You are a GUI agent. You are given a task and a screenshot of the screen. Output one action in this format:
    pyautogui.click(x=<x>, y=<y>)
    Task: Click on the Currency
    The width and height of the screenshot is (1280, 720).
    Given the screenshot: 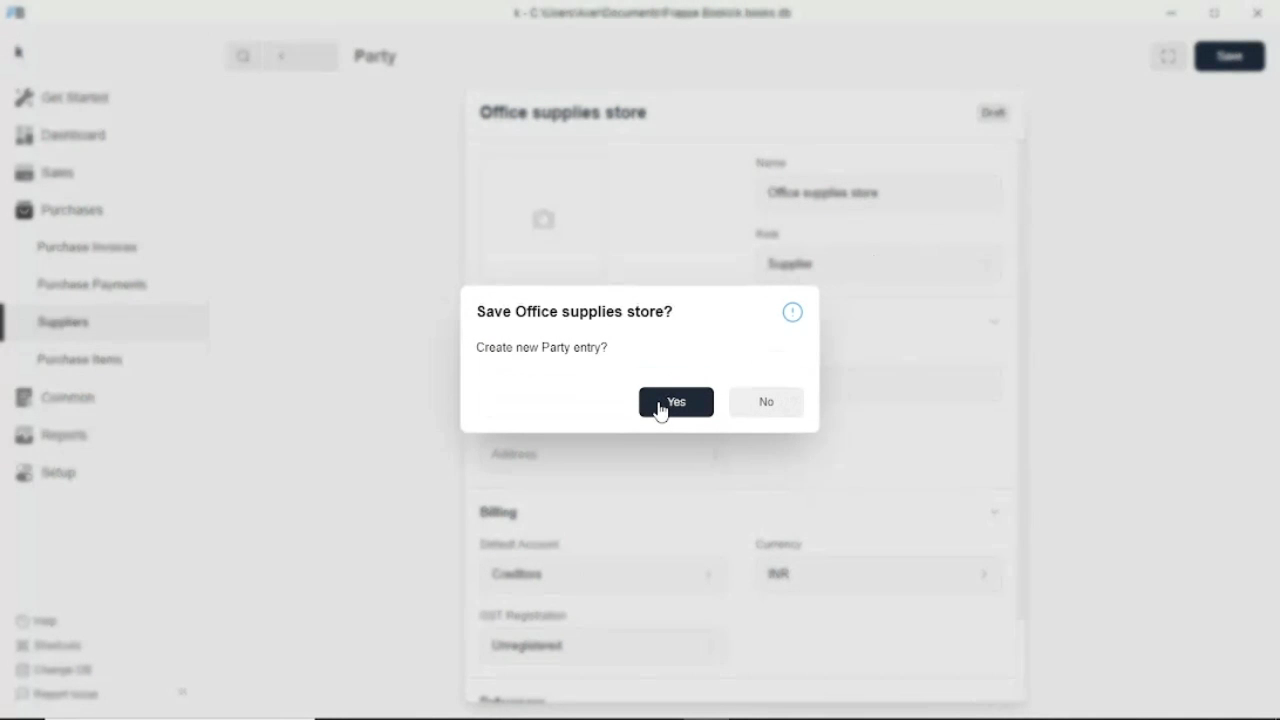 What is the action you would take?
    pyautogui.click(x=780, y=544)
    